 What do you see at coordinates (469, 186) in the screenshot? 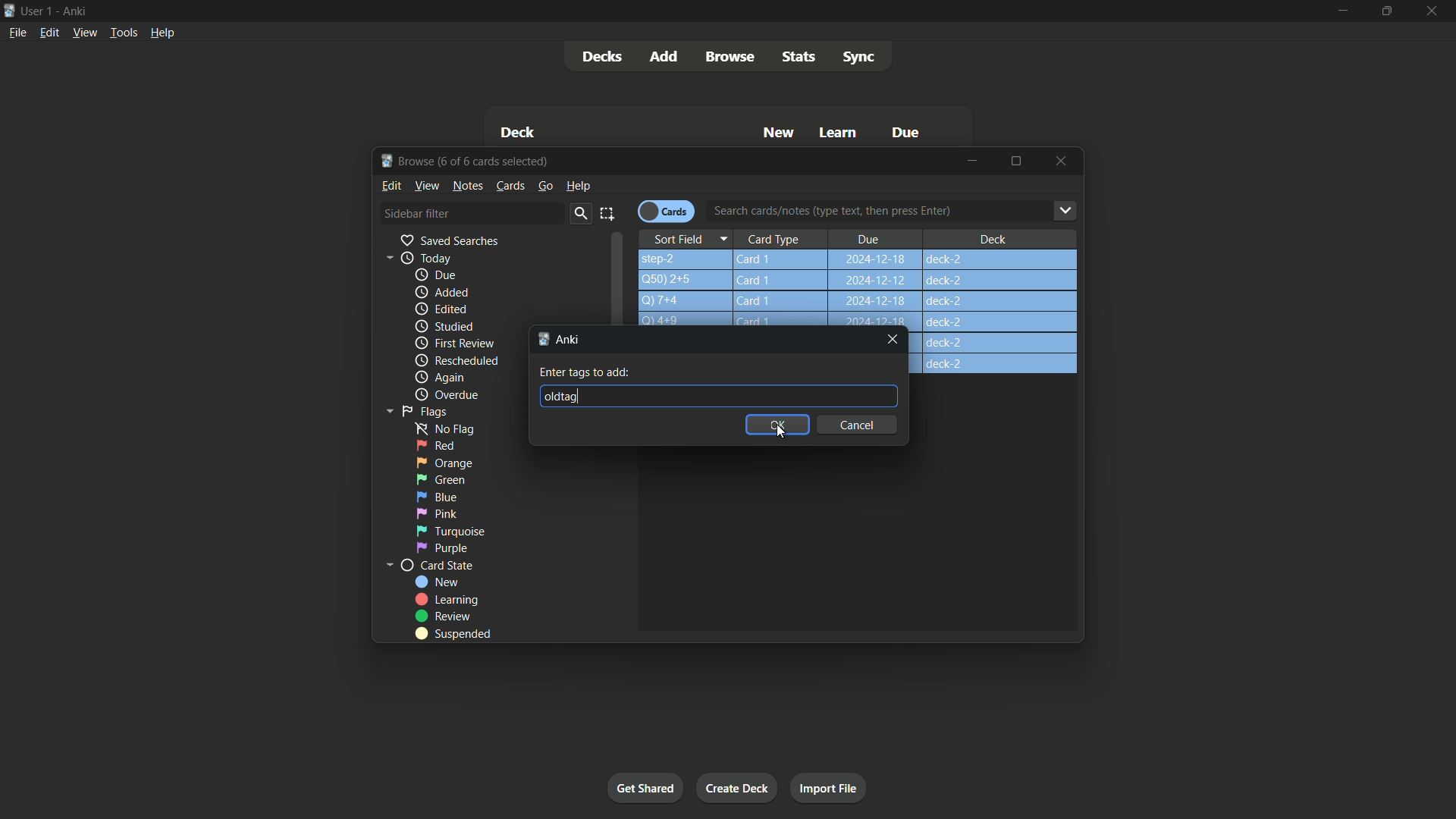
I see `Notes` at bounding box center [469, 186].